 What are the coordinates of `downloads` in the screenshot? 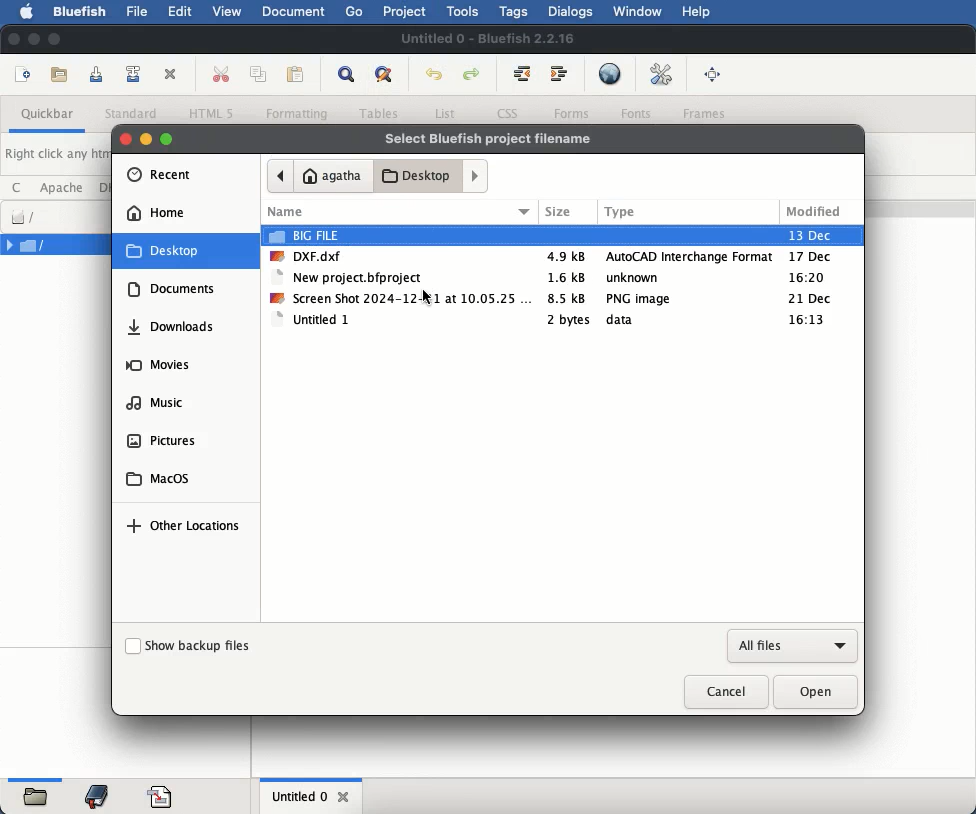 It's located at (175, 326).